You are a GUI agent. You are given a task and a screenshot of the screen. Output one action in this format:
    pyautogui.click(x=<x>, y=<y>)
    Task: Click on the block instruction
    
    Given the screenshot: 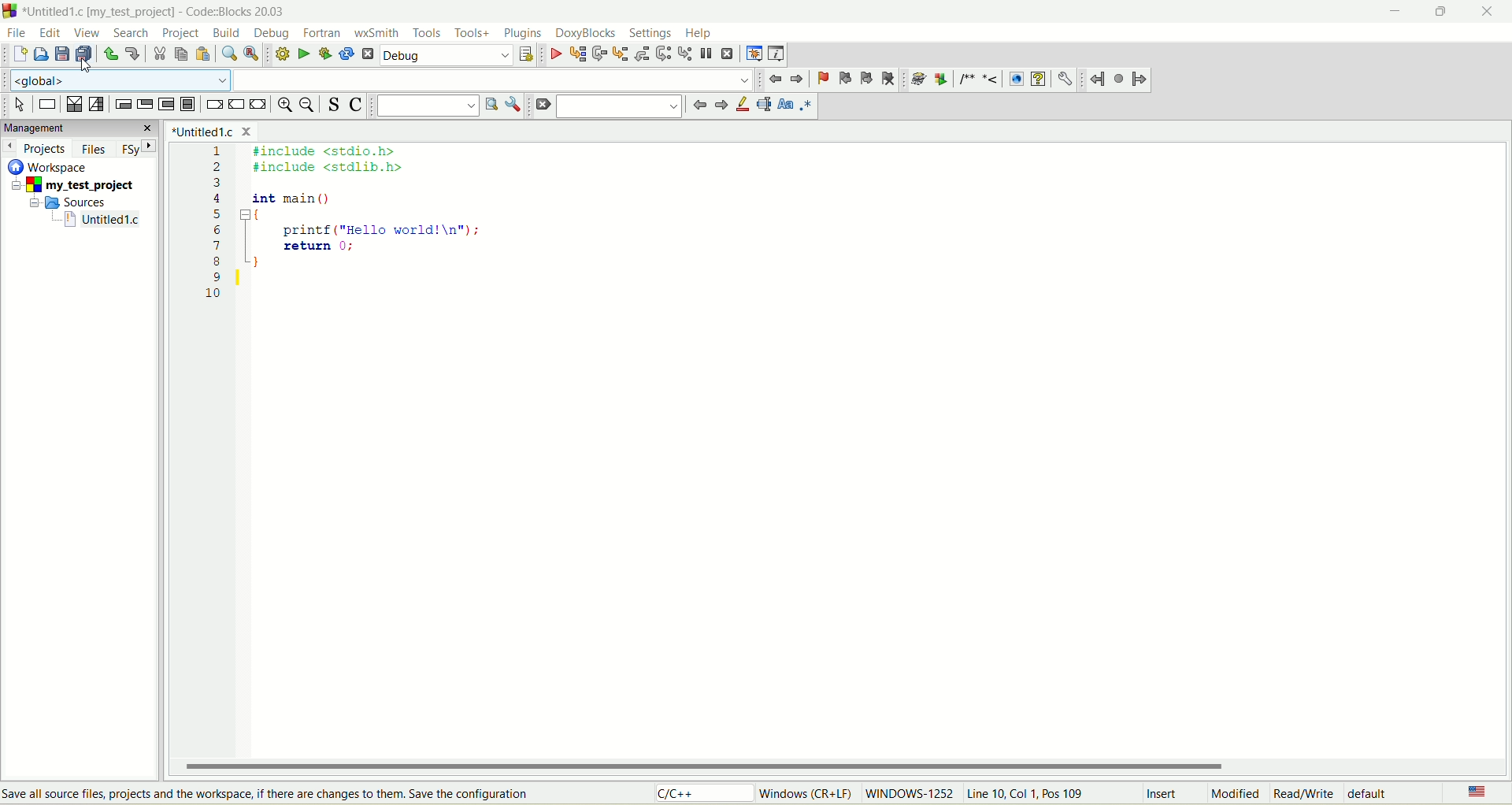 What is the action you would take?
    pyautogui.click(x=189, y=104)
    